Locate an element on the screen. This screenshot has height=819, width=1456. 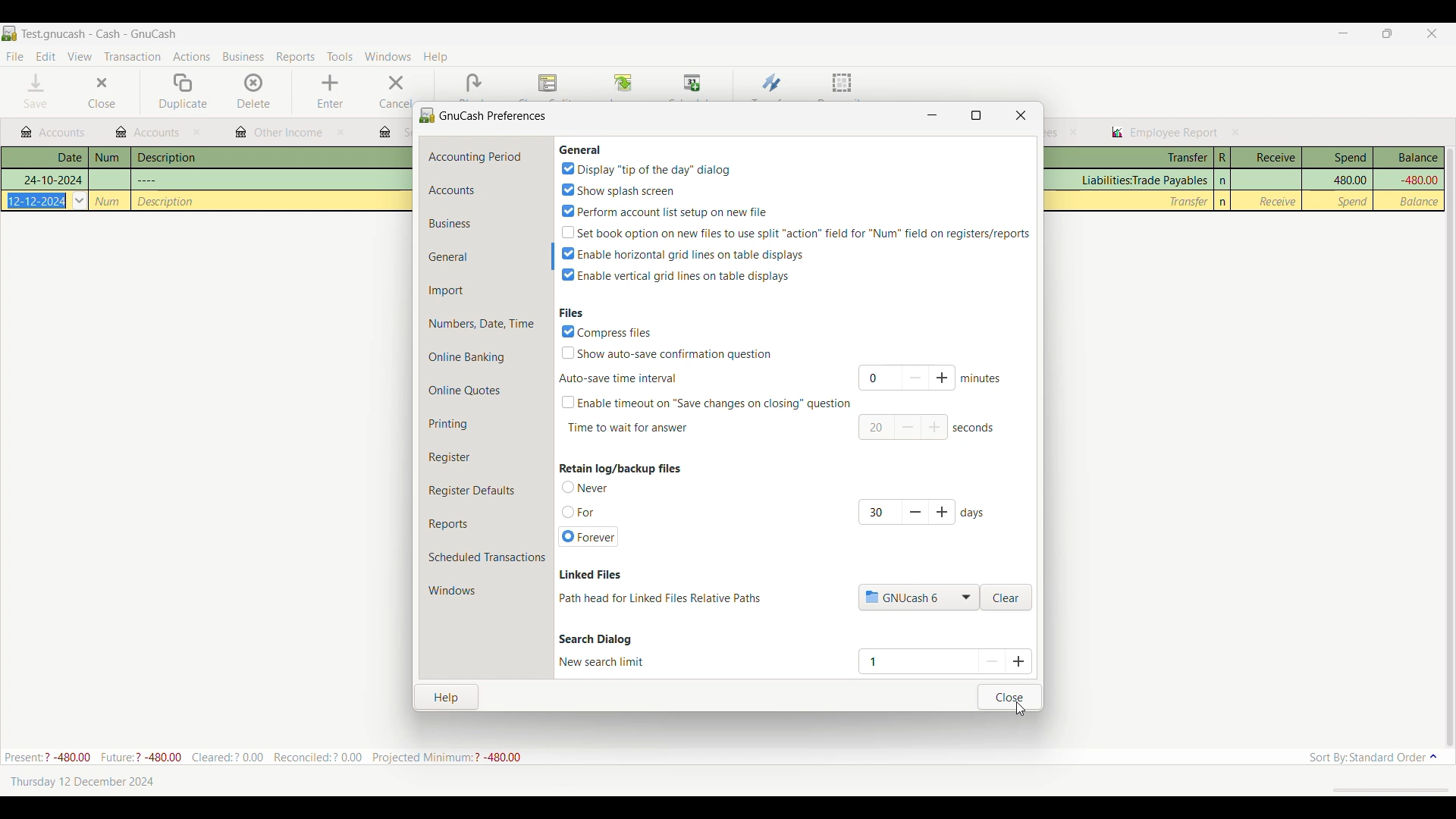
 is located at coordinates (167, 201).